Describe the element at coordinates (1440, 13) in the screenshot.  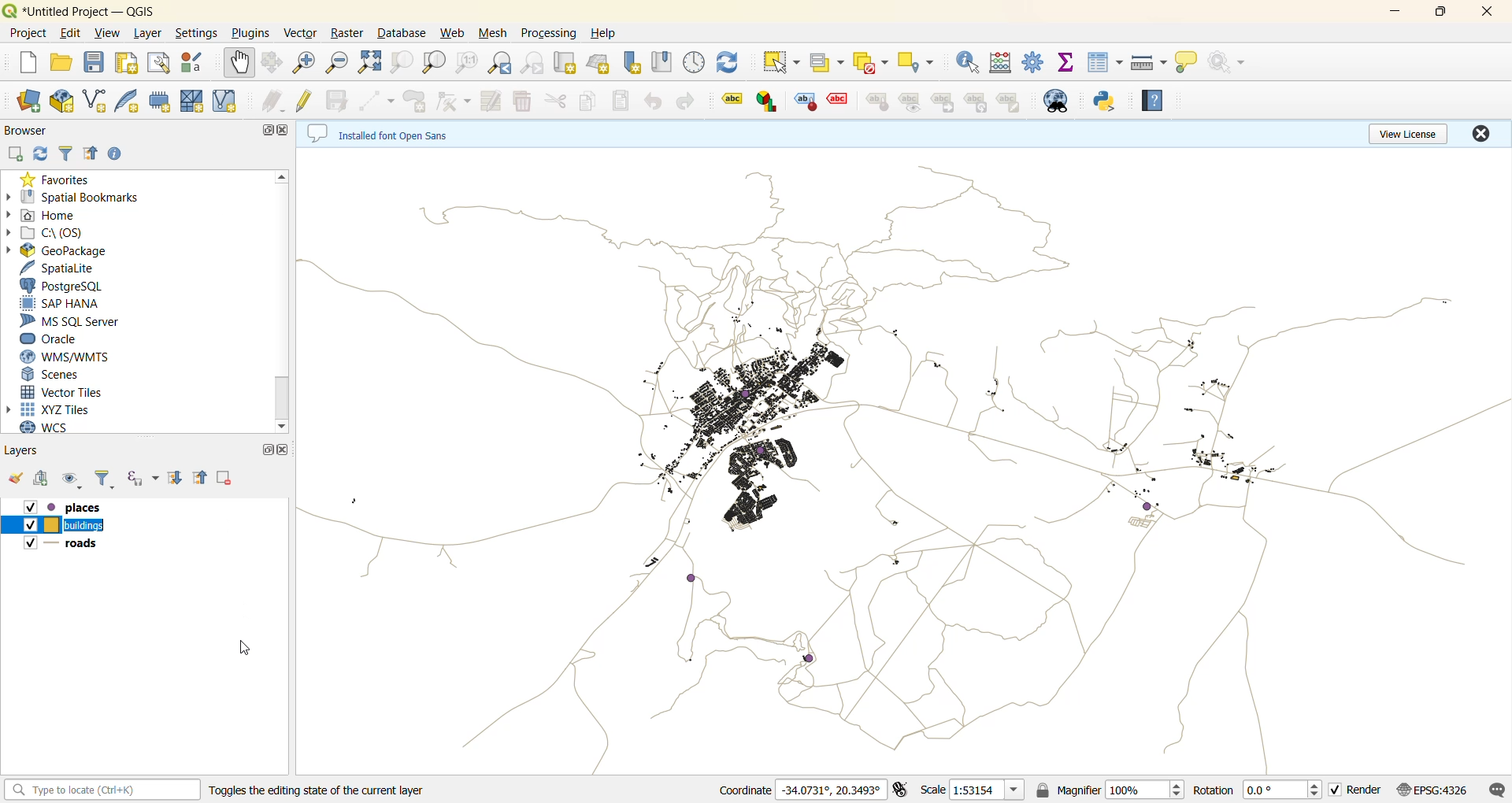
I see `maximize` at that location.